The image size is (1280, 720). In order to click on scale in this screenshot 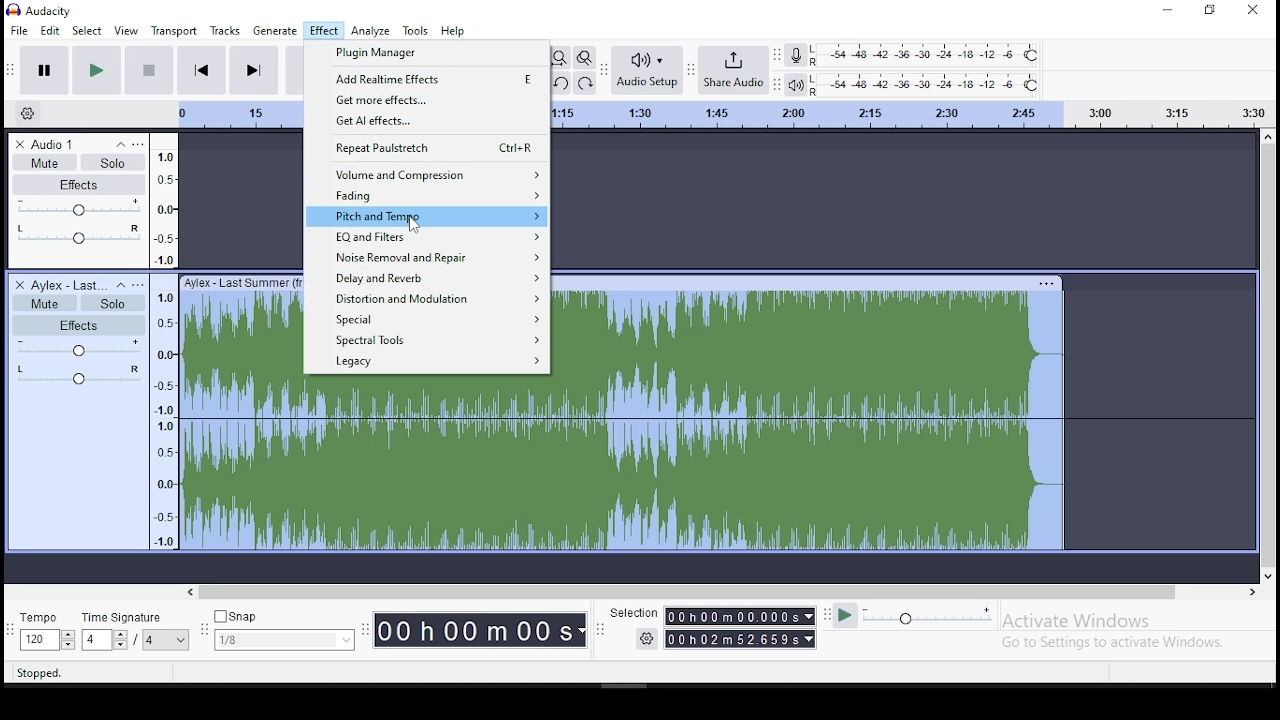, I will do `click(911, 113)`.